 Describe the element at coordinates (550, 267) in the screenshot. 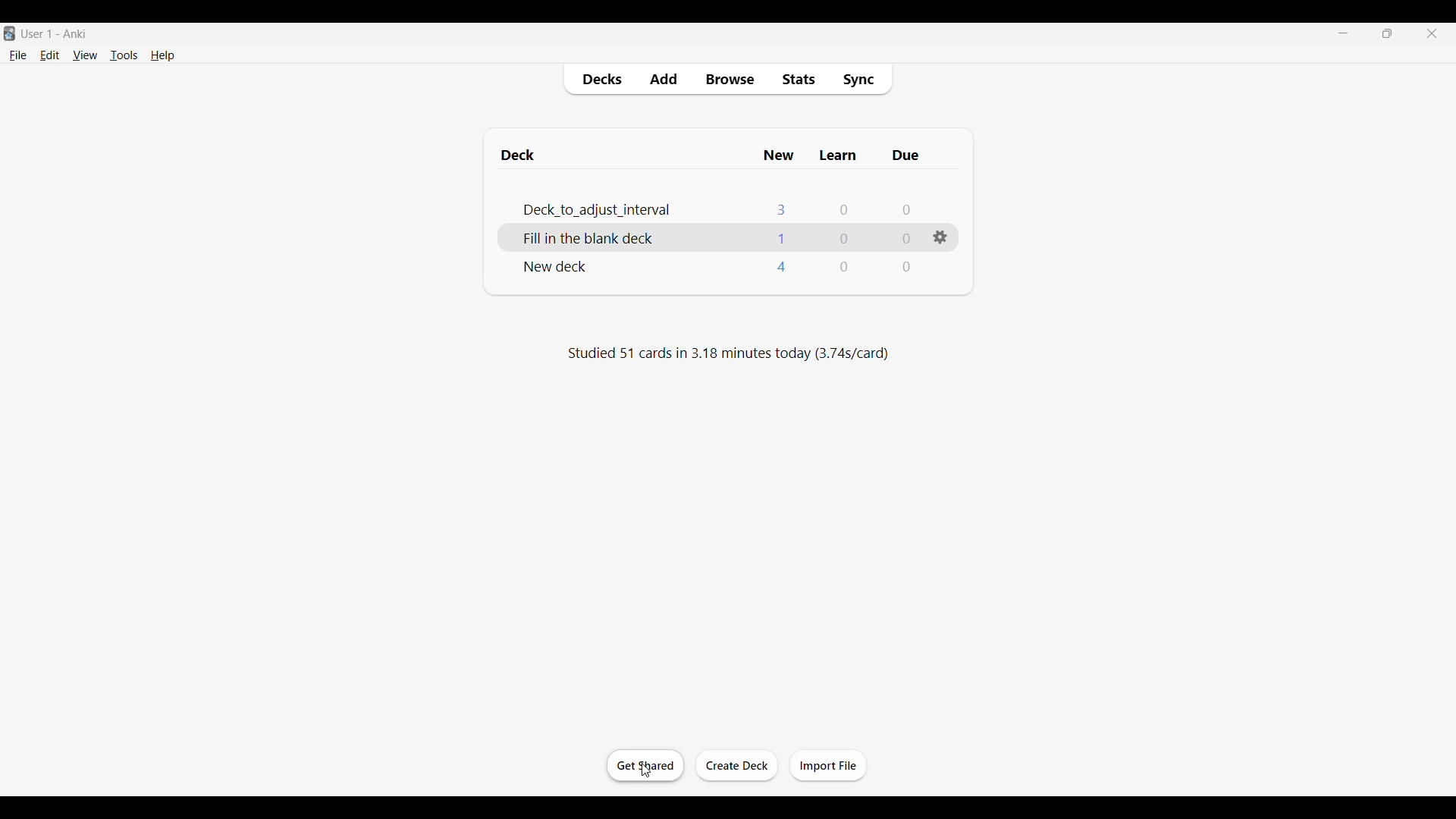

I see `New deck` at that location.